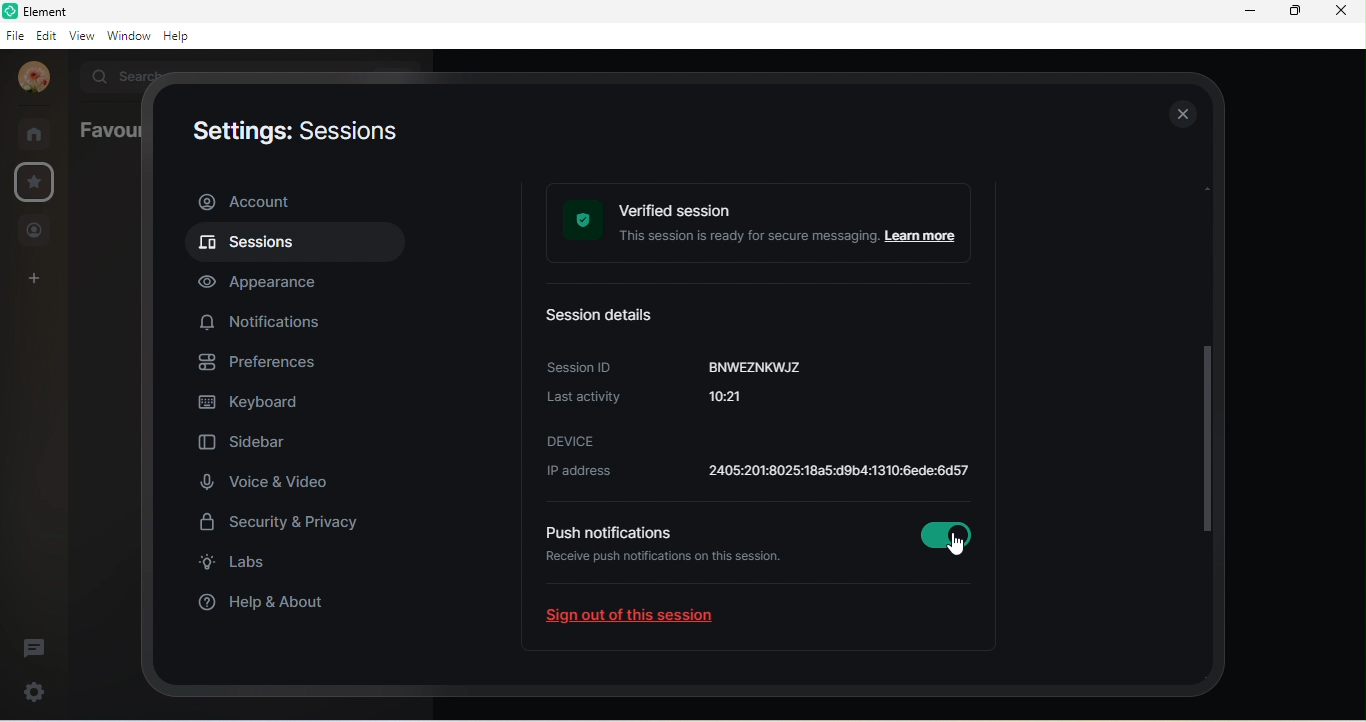 The width and height of the screenshot is (1366, 722). I want to click on view, so click(82, 34).